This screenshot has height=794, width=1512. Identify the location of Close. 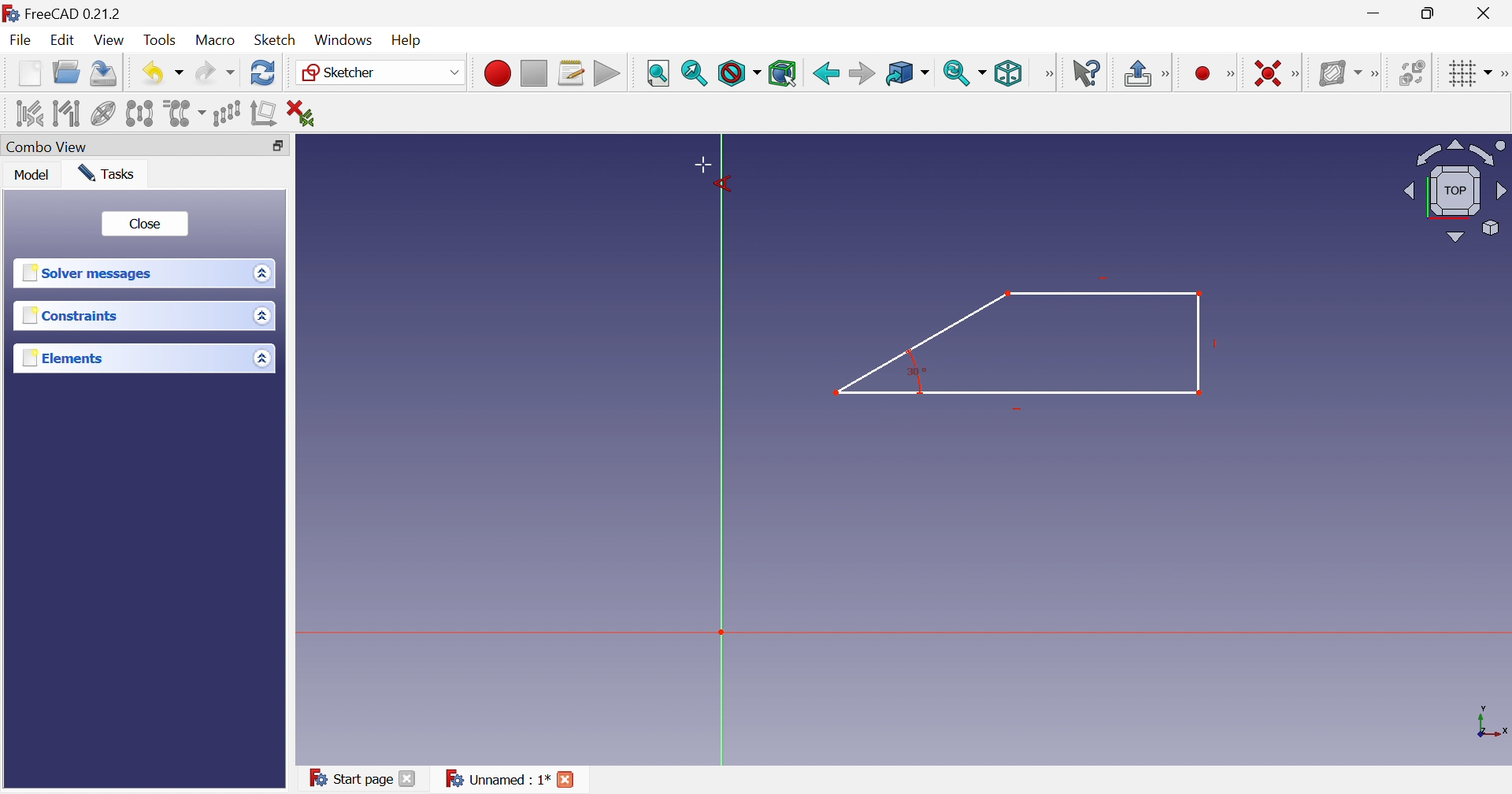
(569, 781).